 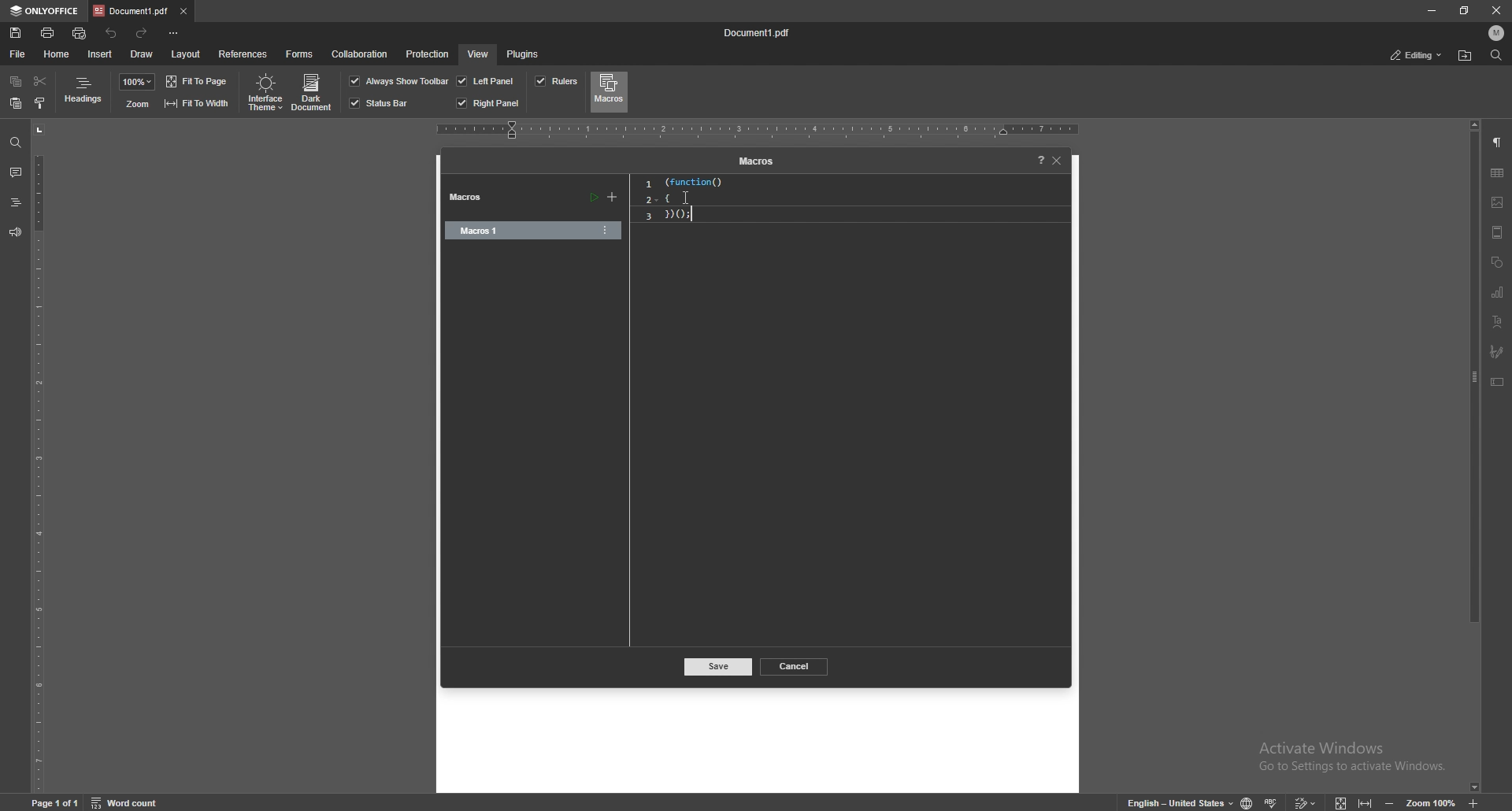 What do you see at coordinates (1497, 351) in the screenshot?
I see `signature field` at bounding box center [1497, 351].